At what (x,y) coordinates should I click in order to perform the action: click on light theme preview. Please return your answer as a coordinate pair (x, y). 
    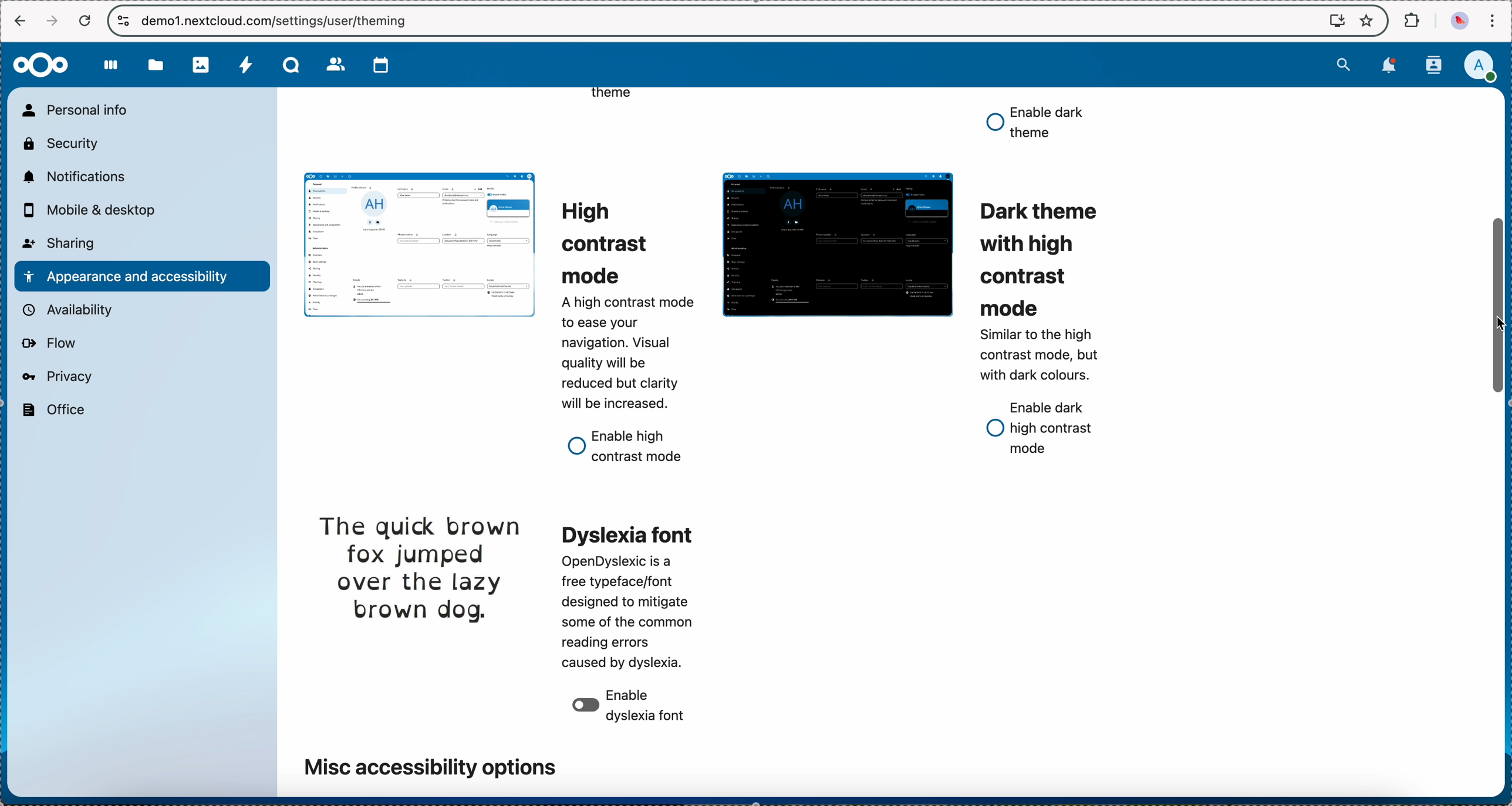
    Looking at the image, I should click on (417, 243).